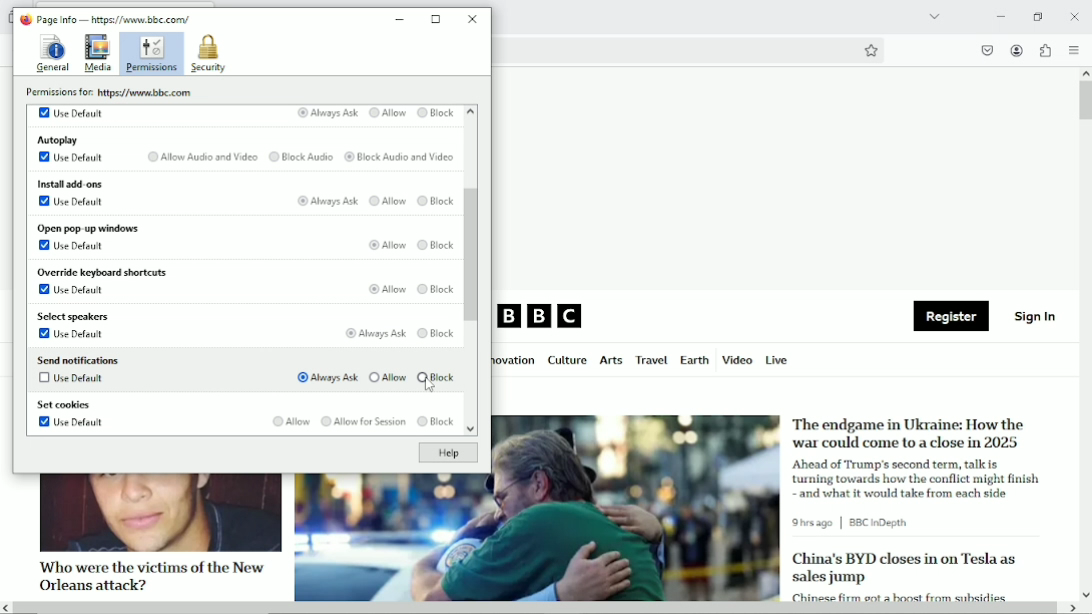 Image resolution: width=1092 pixels, height=614 pixels. Describe the element at coordinates (470, 112) in the screenshot. I see `scroll up` at that location.